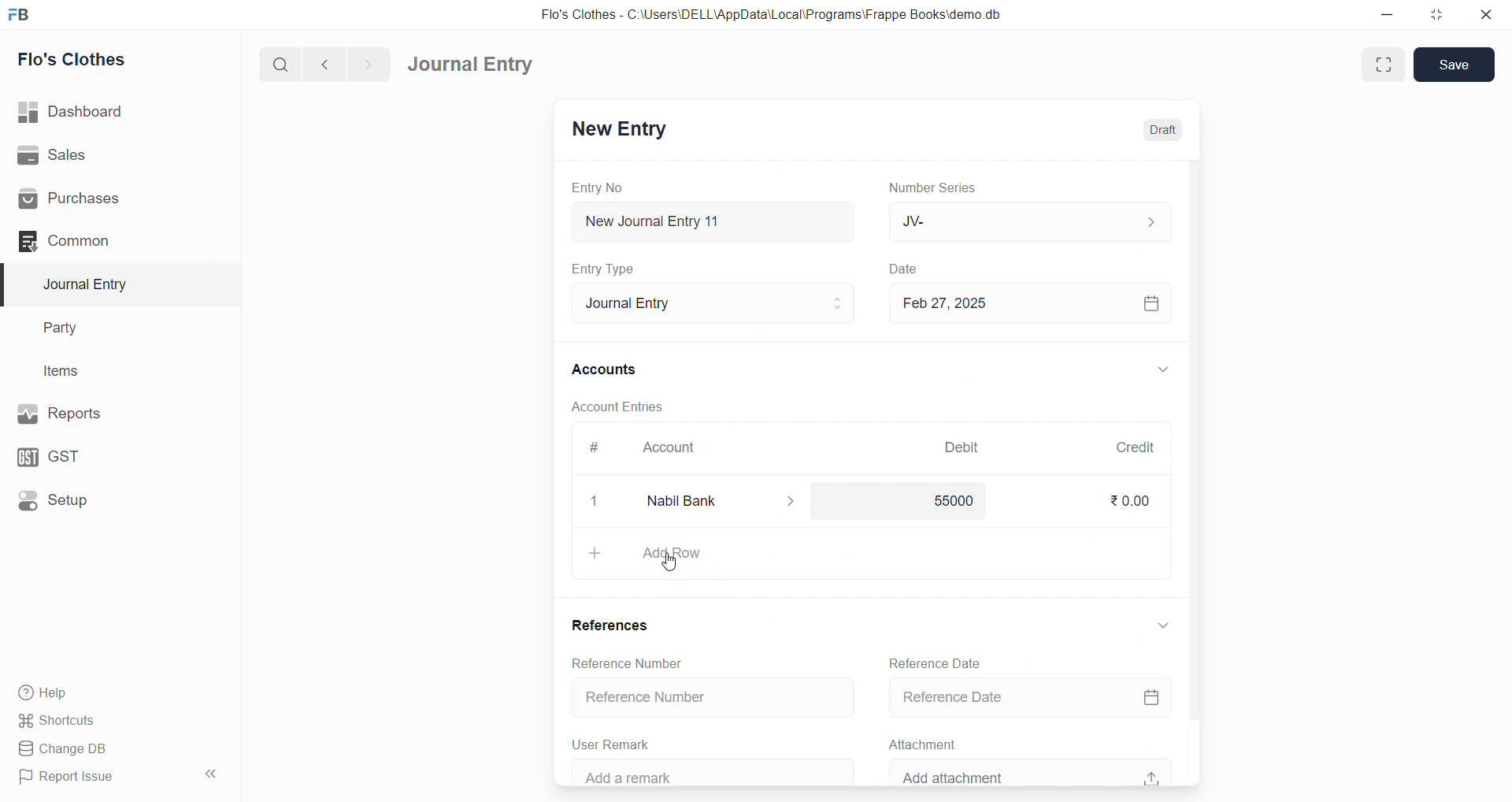 This screenshot has width=1512, height=802. Describe the element at coordinates (715, 303) in the screenshot. I see `Journal Entry` at that location.